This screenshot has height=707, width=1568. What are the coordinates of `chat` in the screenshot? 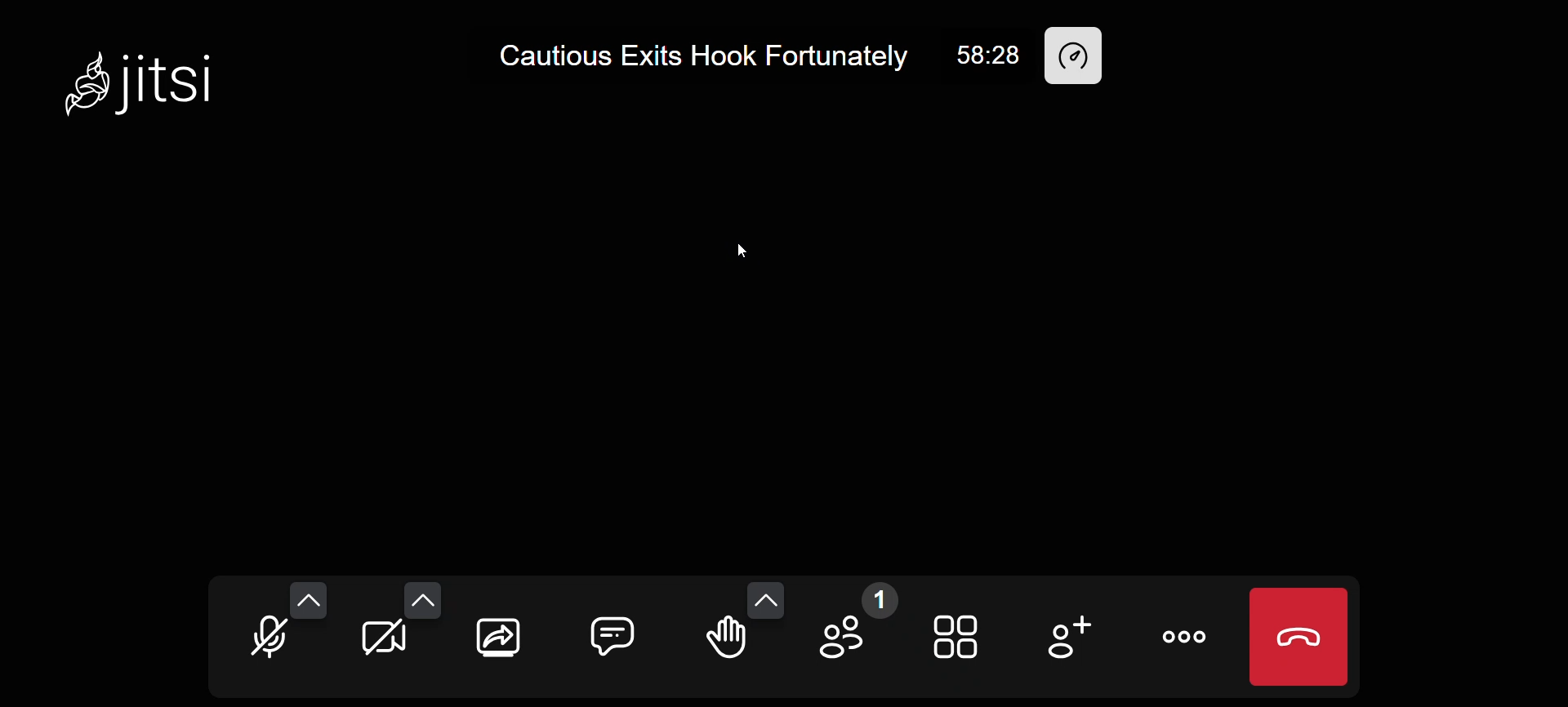 It's located at (612, 638).